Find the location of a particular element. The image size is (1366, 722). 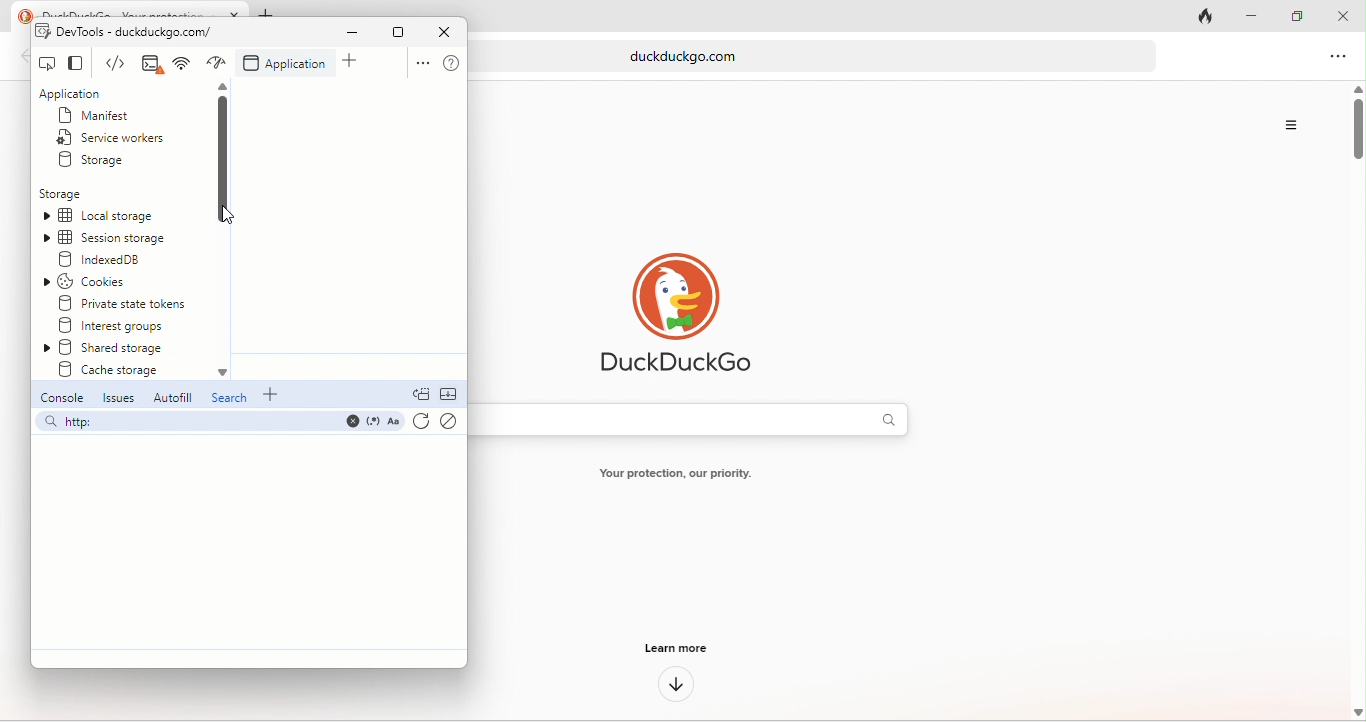

search bar is located at coordinates (218, 424).